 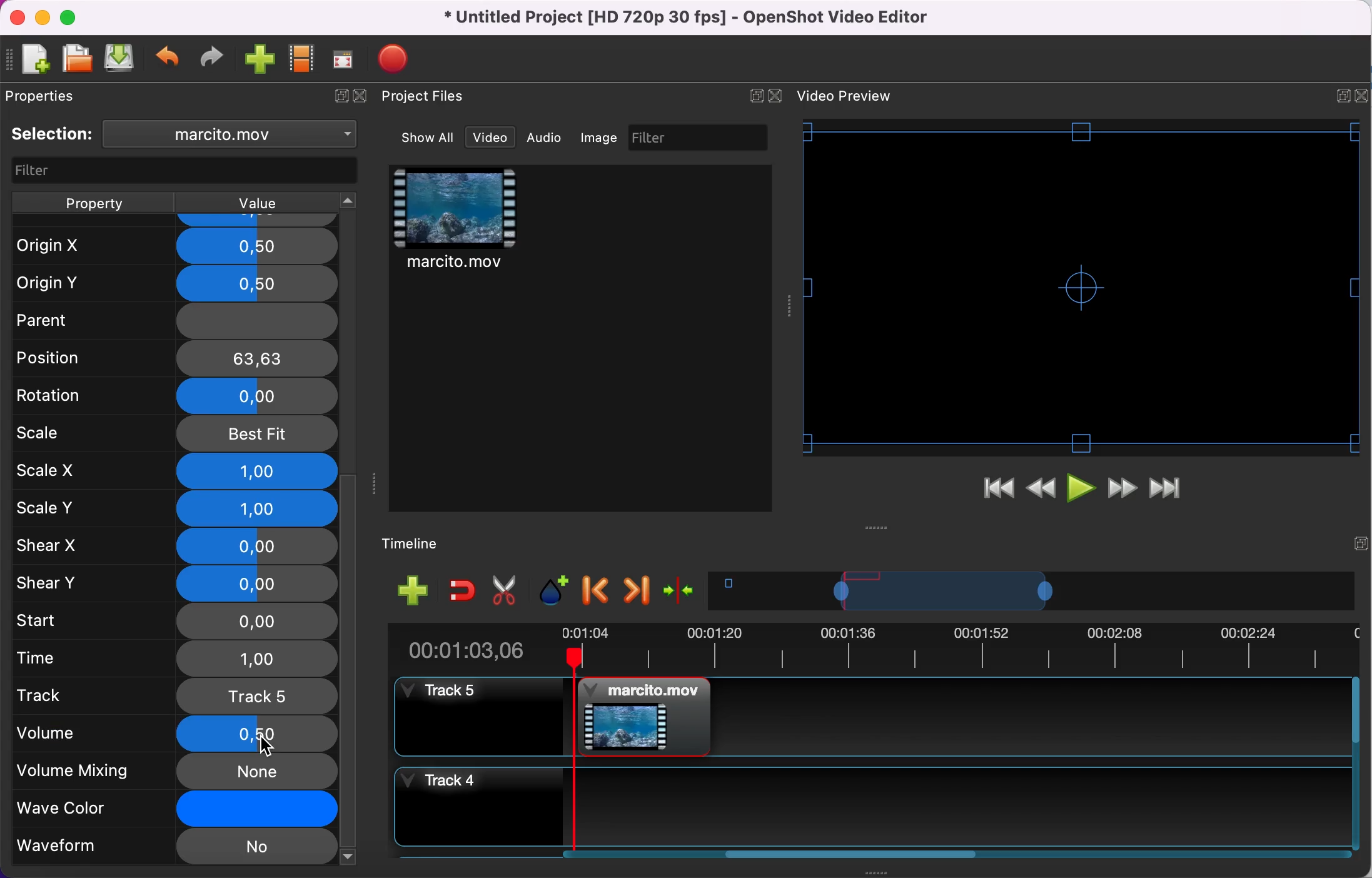 What do you see at coordinates (176, 695) in the screenshot?
I see `track 5` at bounding box center [176, 695].